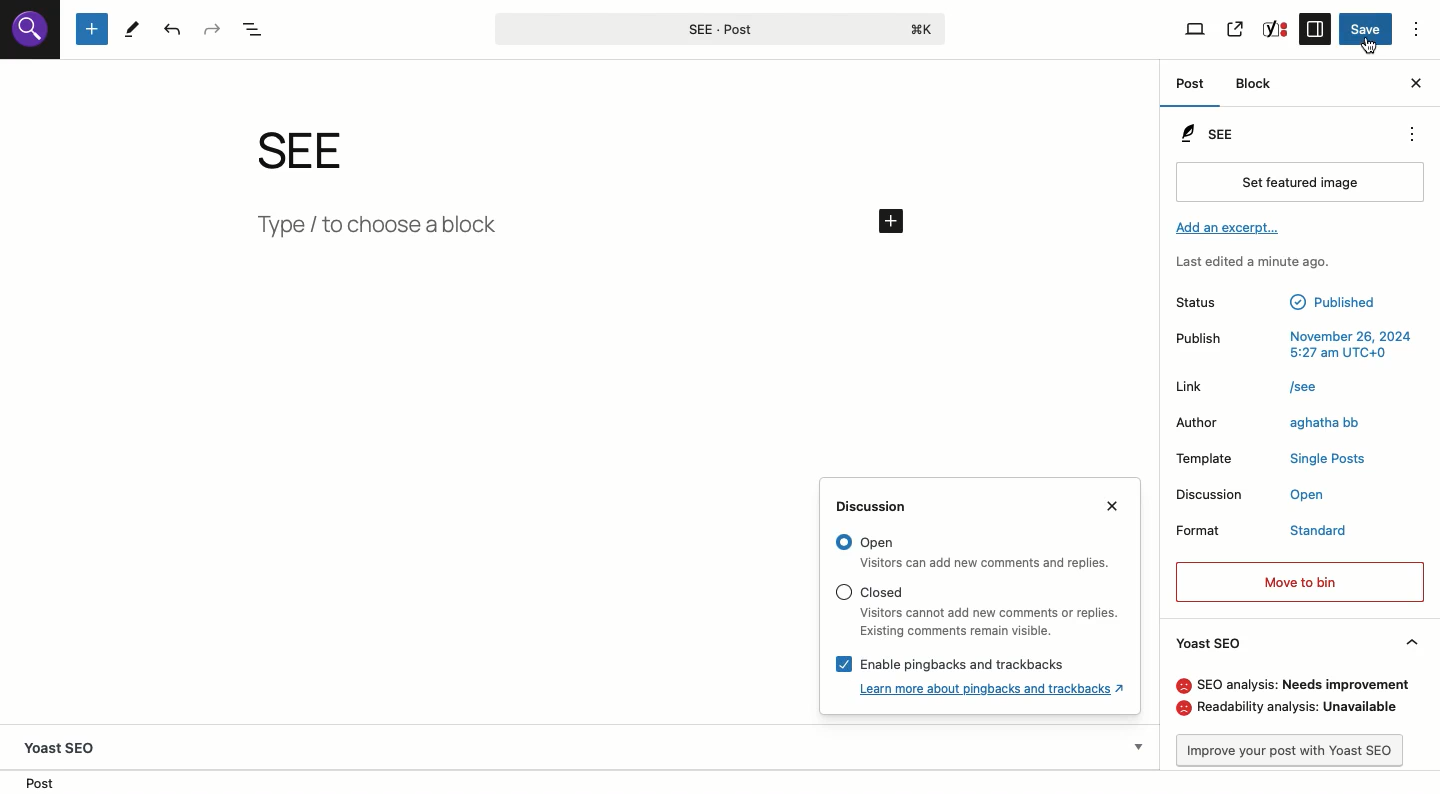 The height and width of the screenshot is (794, 1440). Describe the element at coordinates (1413, 642) in the screenshot. I see `Hide` at that location.